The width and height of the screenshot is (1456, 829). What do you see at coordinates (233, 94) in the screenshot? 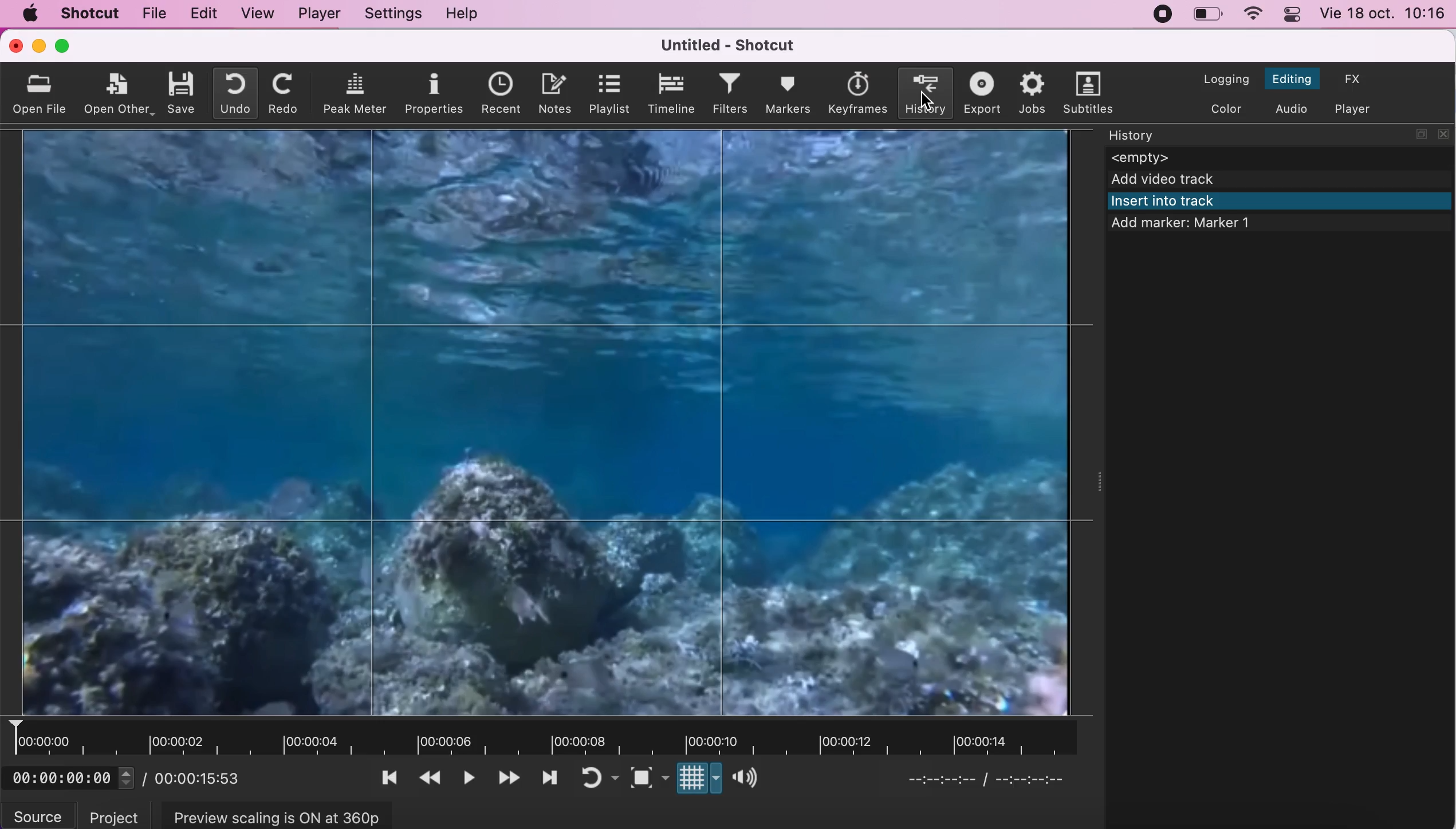
I see `undo` at bounding box center [233, 94].